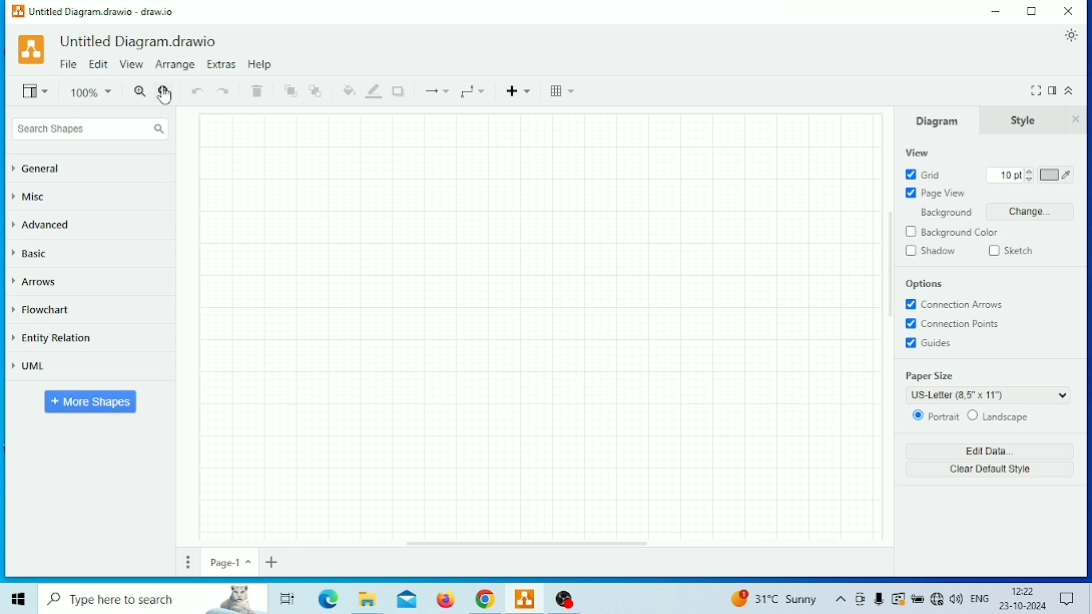 The width and height of the screenshot is (1092, 614). I want to click on Vertical scrollbar, so click(891, 264).